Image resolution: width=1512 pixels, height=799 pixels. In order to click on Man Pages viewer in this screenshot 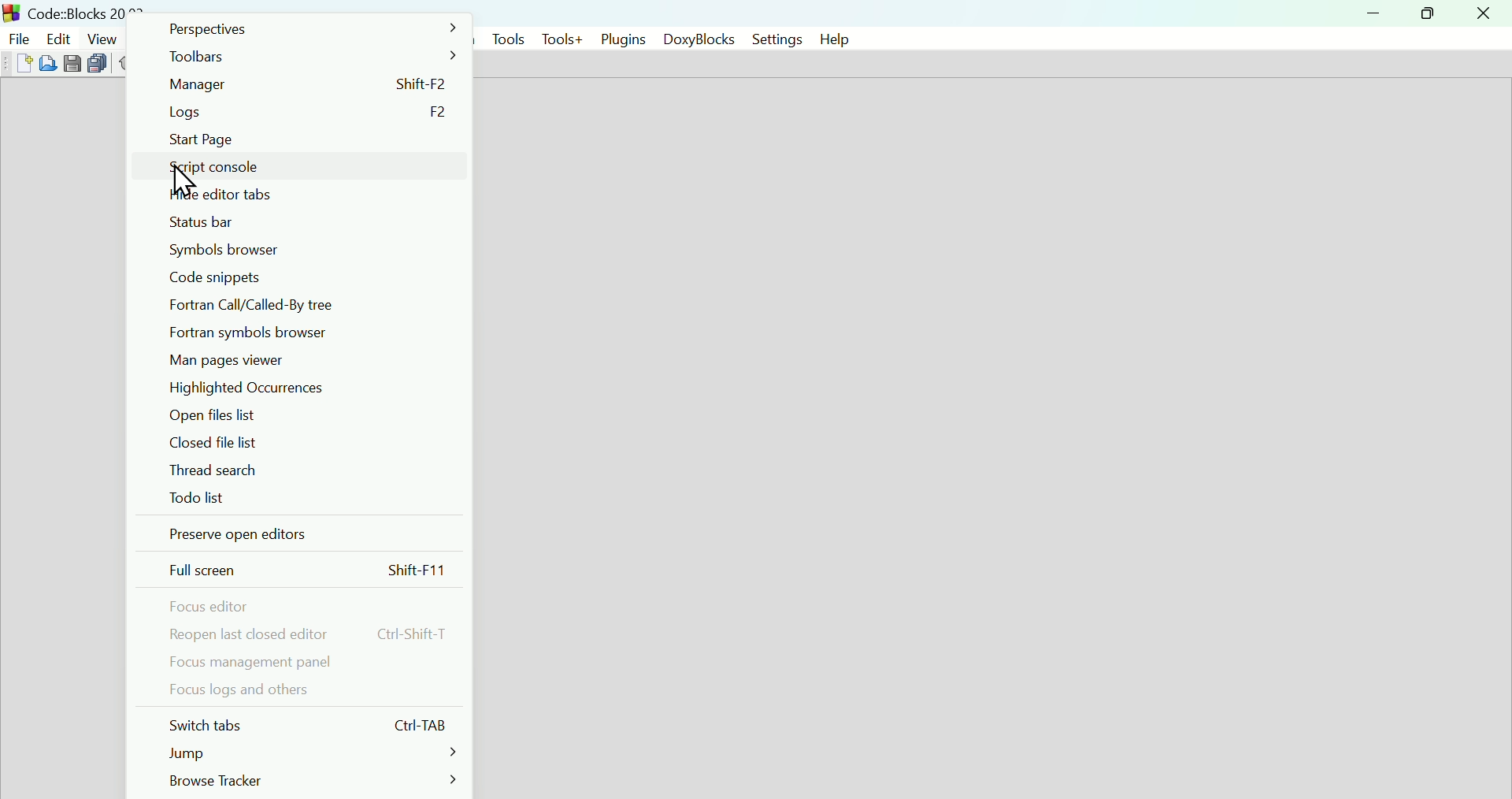, I will do `click(306, 359)`.